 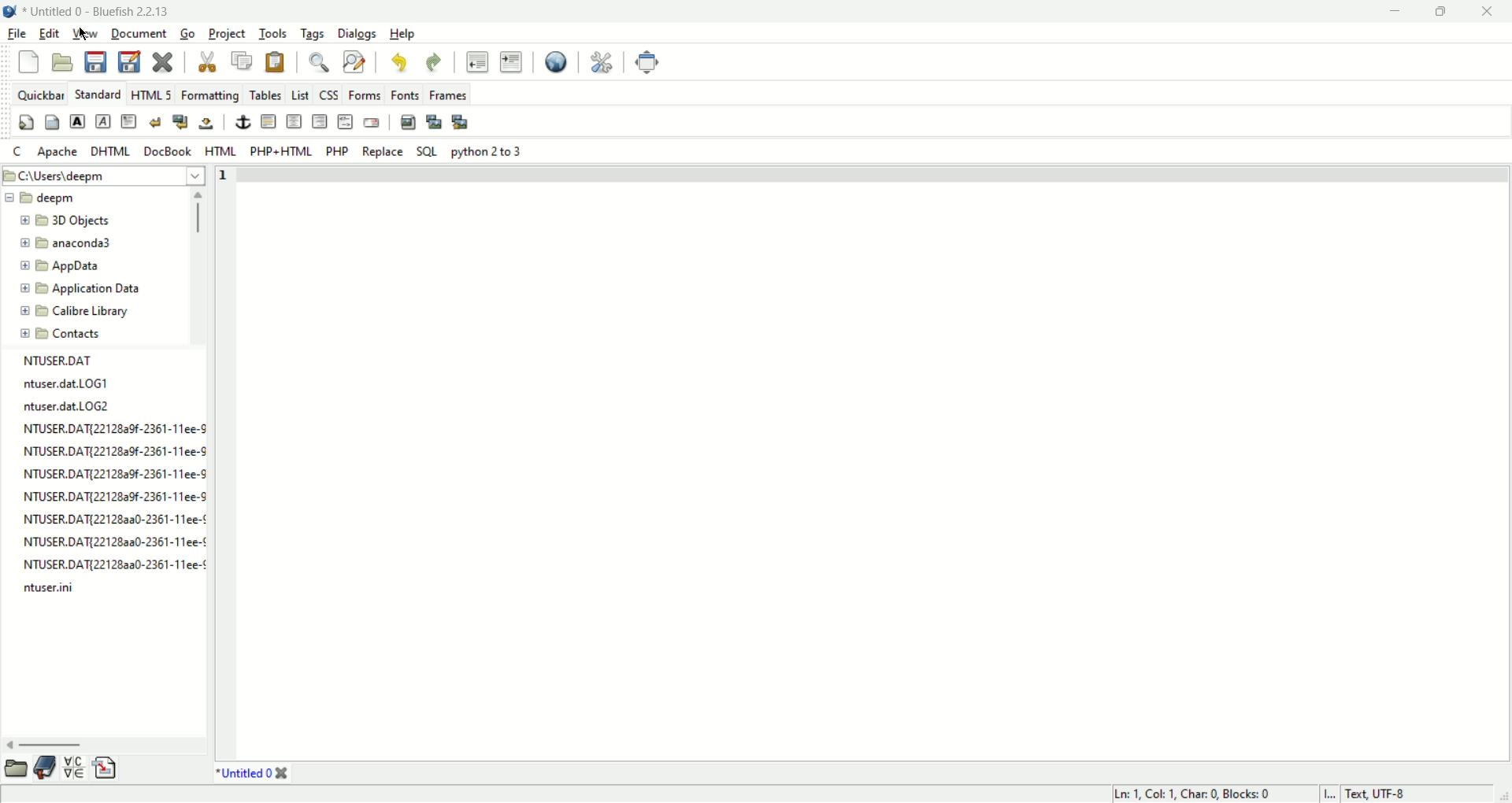 I want to click on go, so click(x=187, y=33).